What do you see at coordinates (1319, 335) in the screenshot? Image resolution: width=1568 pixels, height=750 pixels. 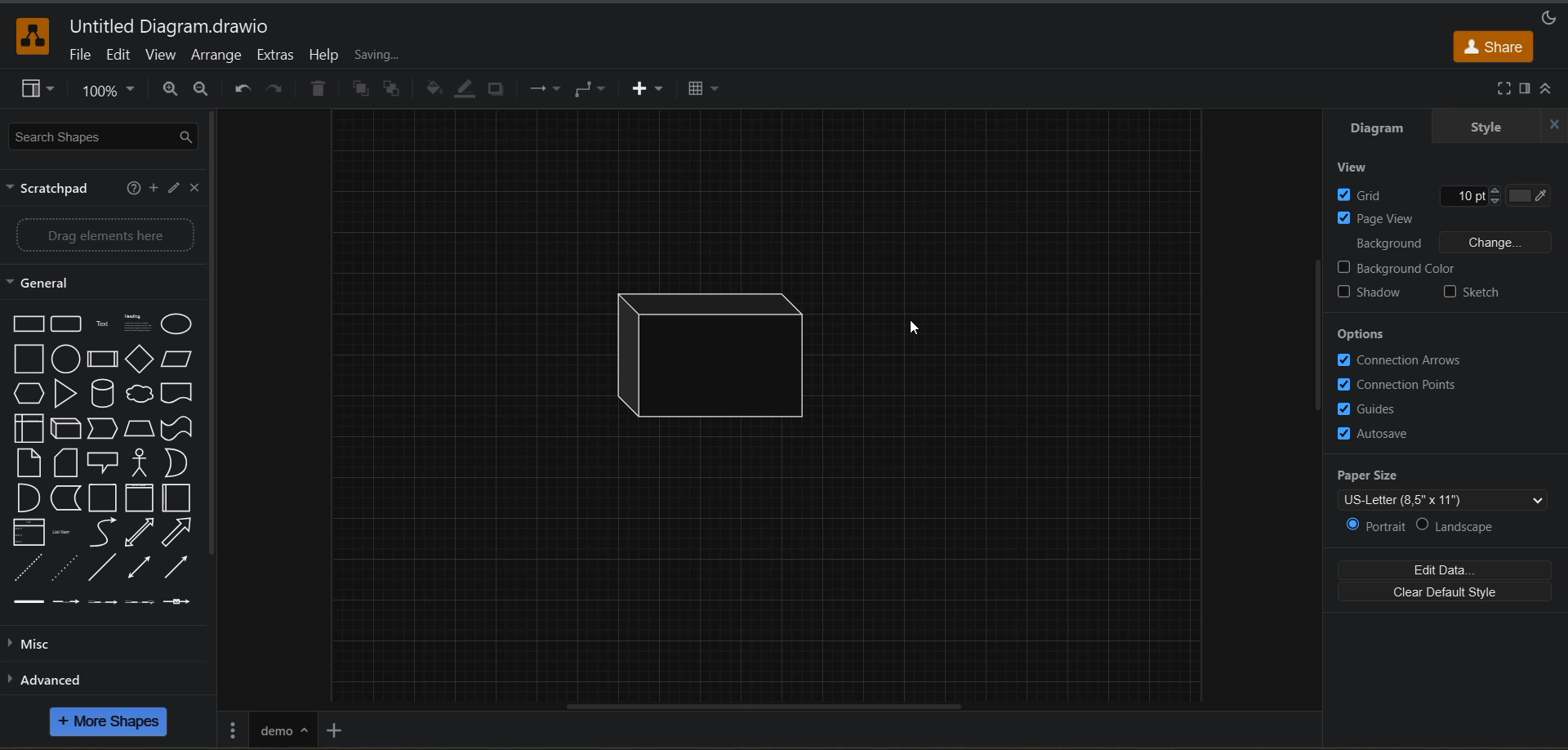 I see `vertical scroll bar` at bounding box center [1319, 335].